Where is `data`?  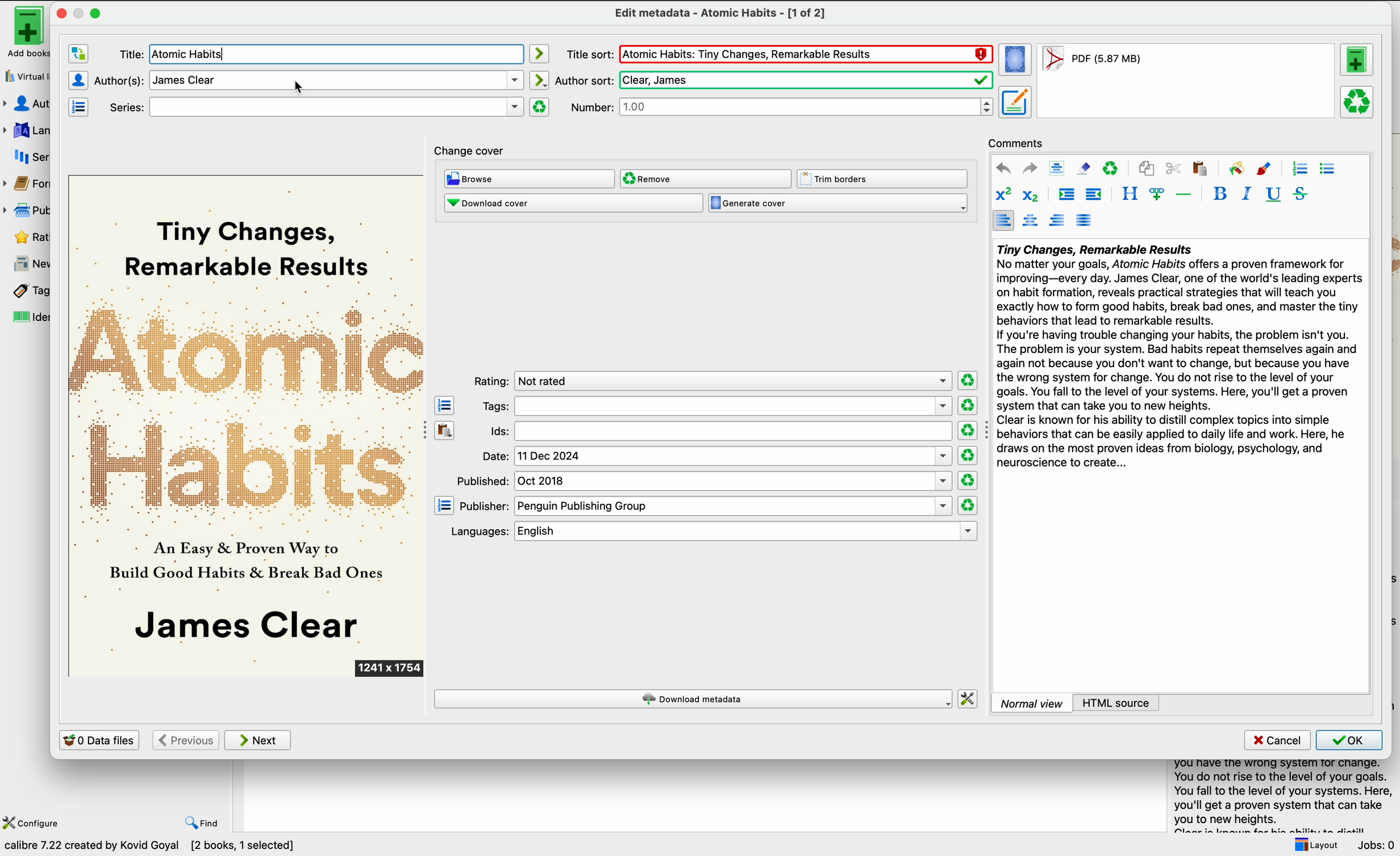 data is located at coordinates (154, 847).